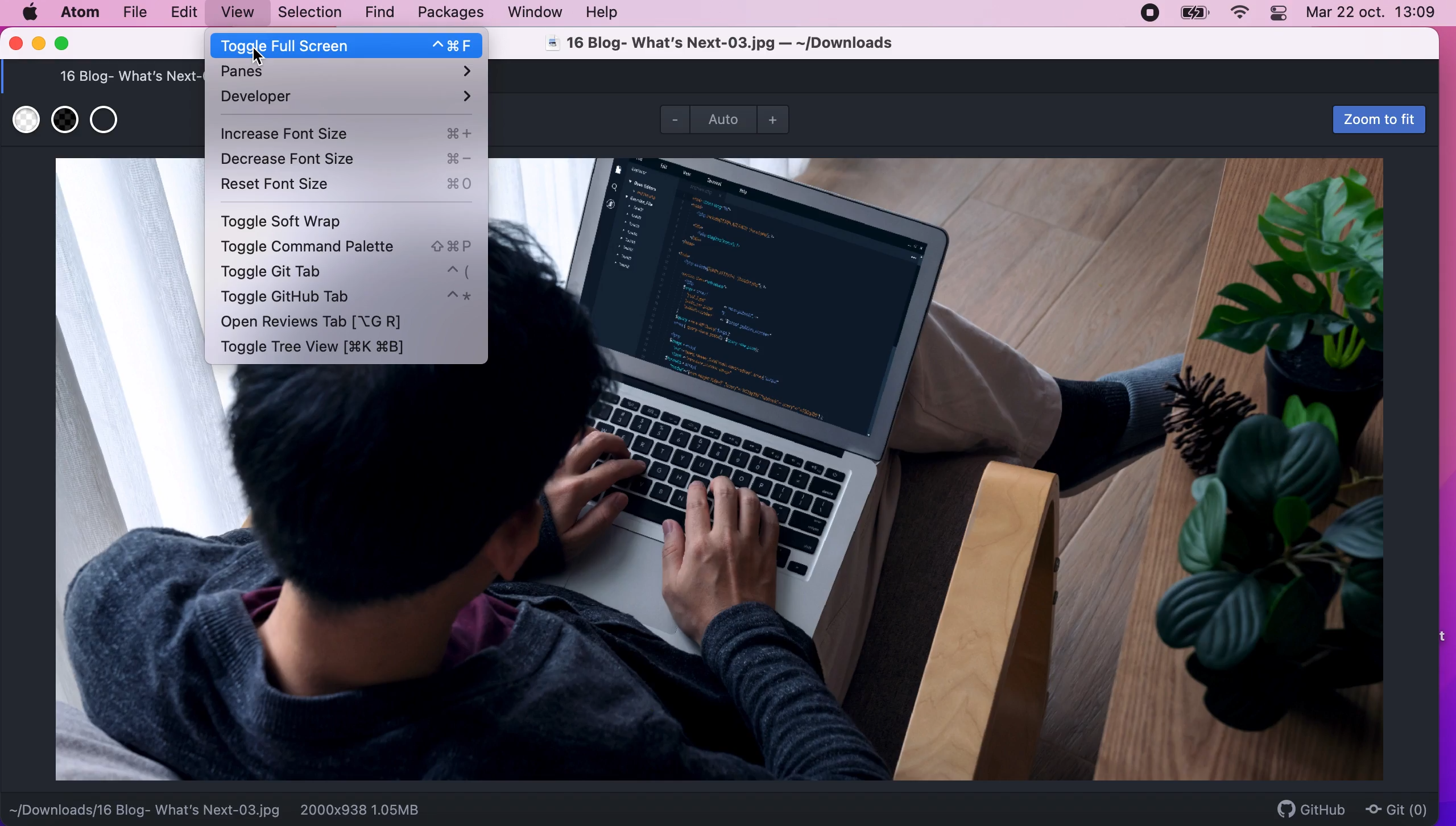 The height and width of the screenshot is (826, 1456). What do you see at coordinates (145, 807) in the screenshot?
I see `~/Downloads/16 Blog- What's Next-03.jpg` at bounding box center [145, 807].